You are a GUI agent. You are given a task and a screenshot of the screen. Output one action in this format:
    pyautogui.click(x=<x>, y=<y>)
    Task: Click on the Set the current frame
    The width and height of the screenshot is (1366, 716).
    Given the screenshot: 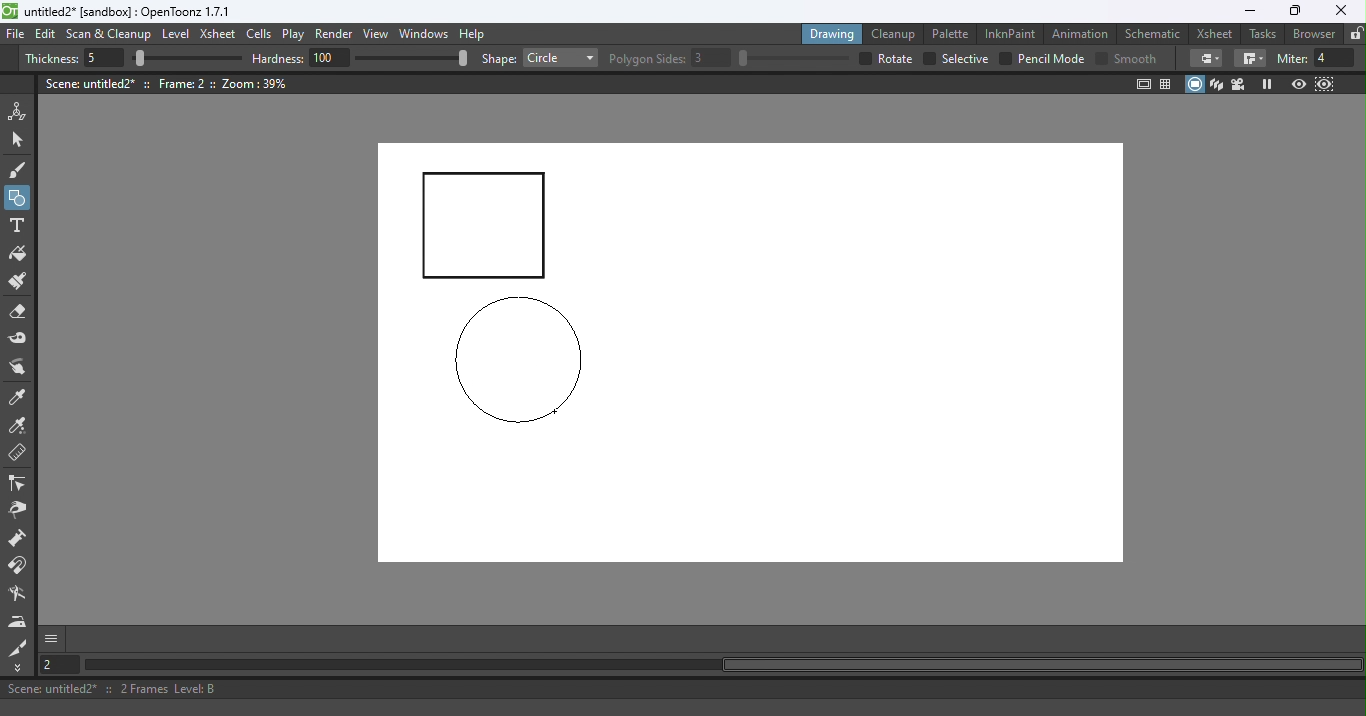 What is the action you would take?
    pyautogui.click(x=57, y=664)
    